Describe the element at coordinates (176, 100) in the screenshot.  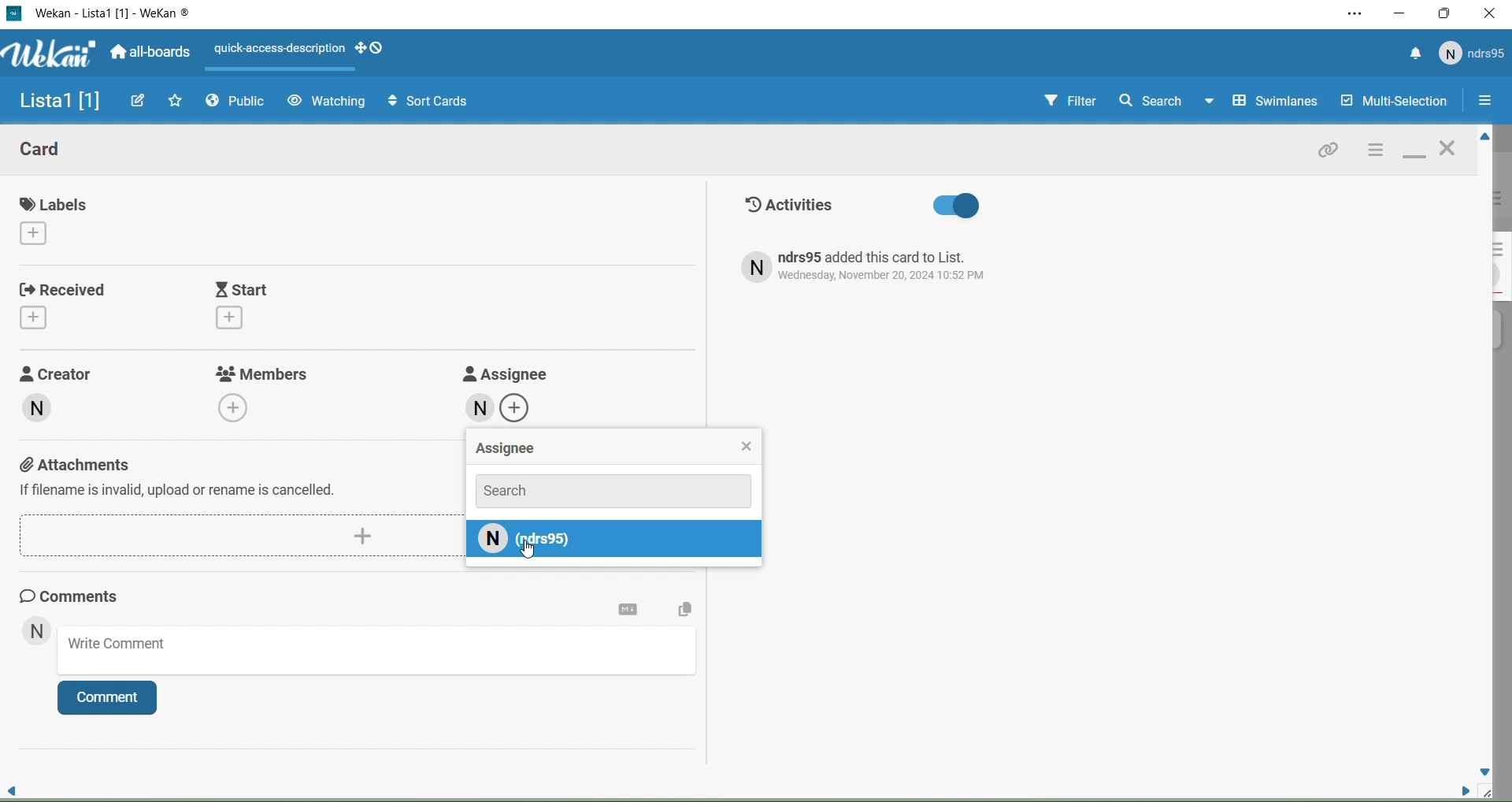
I see `Favourites` at that location.